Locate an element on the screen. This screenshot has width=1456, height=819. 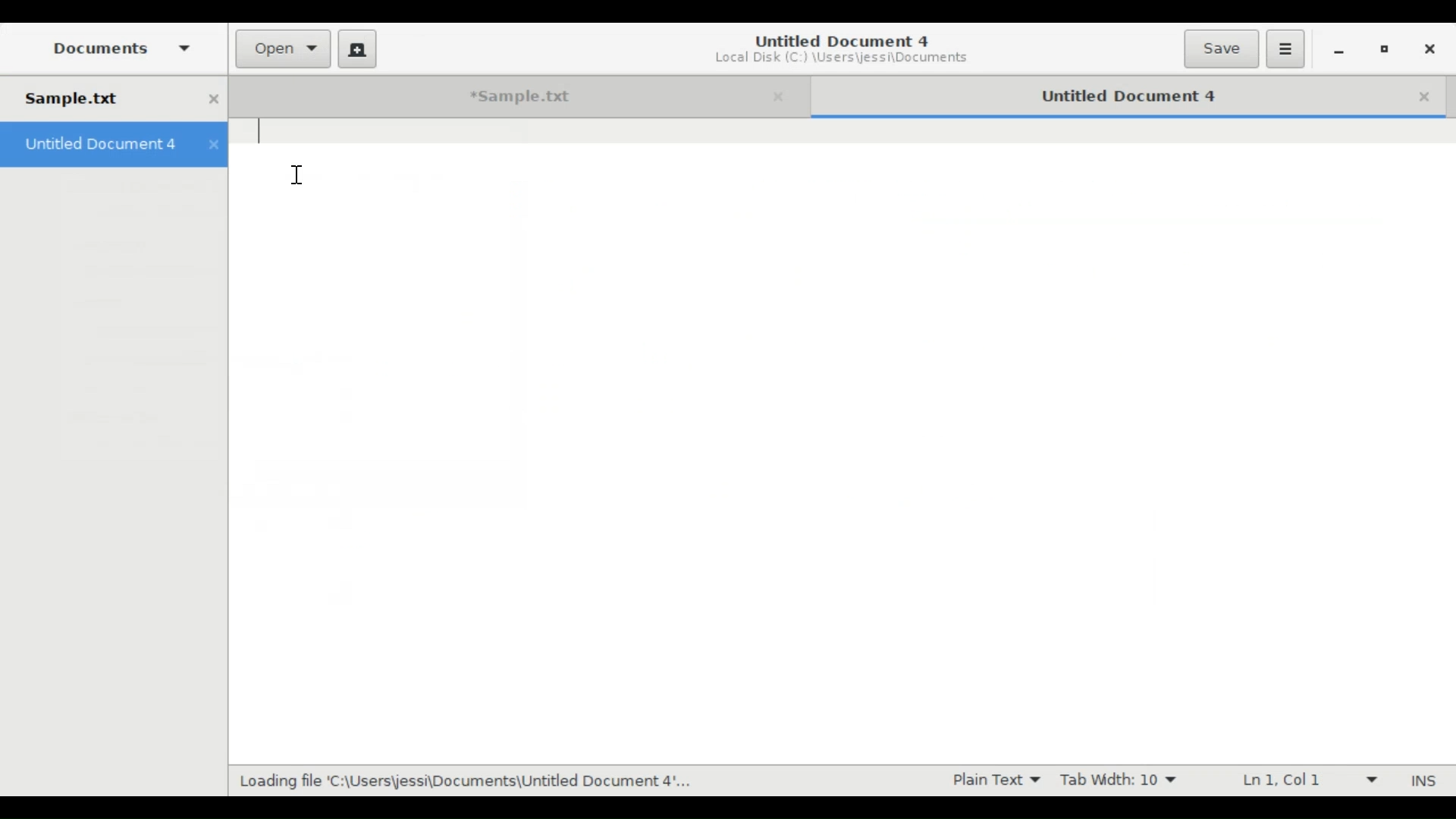
Close is located at coordinates (1428, 48).